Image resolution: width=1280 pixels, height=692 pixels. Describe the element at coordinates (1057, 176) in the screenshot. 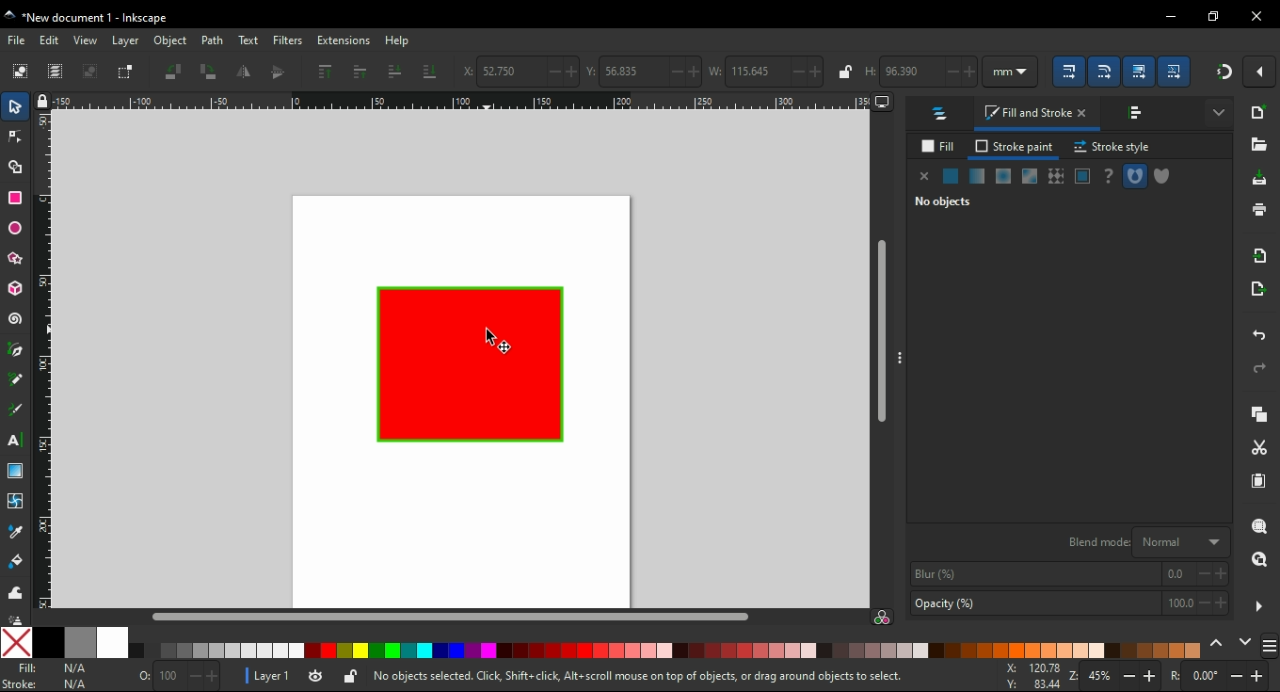

I see `pattern` at that location.